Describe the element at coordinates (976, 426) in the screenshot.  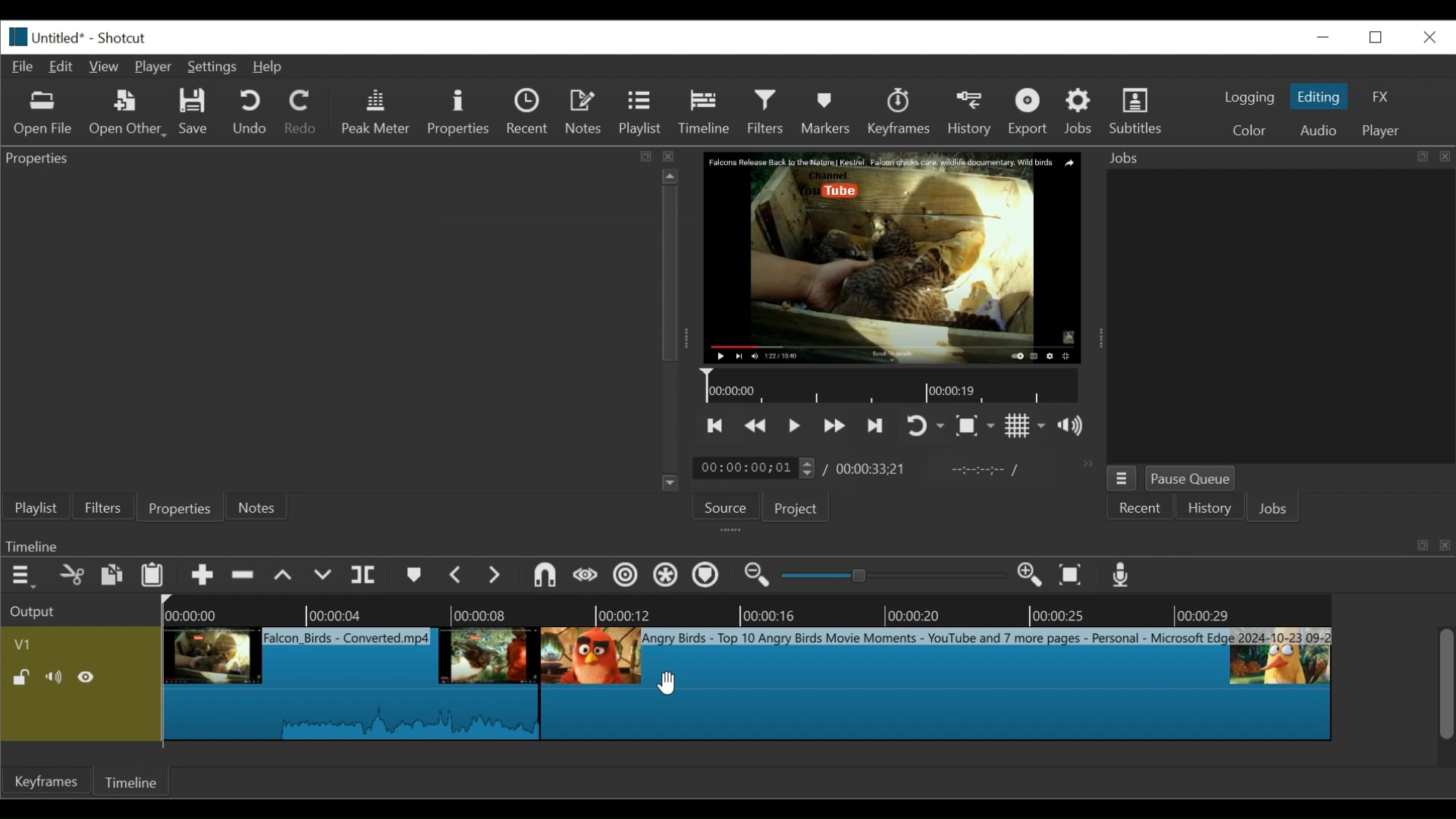
I see `Toggle Zoom` at that location.